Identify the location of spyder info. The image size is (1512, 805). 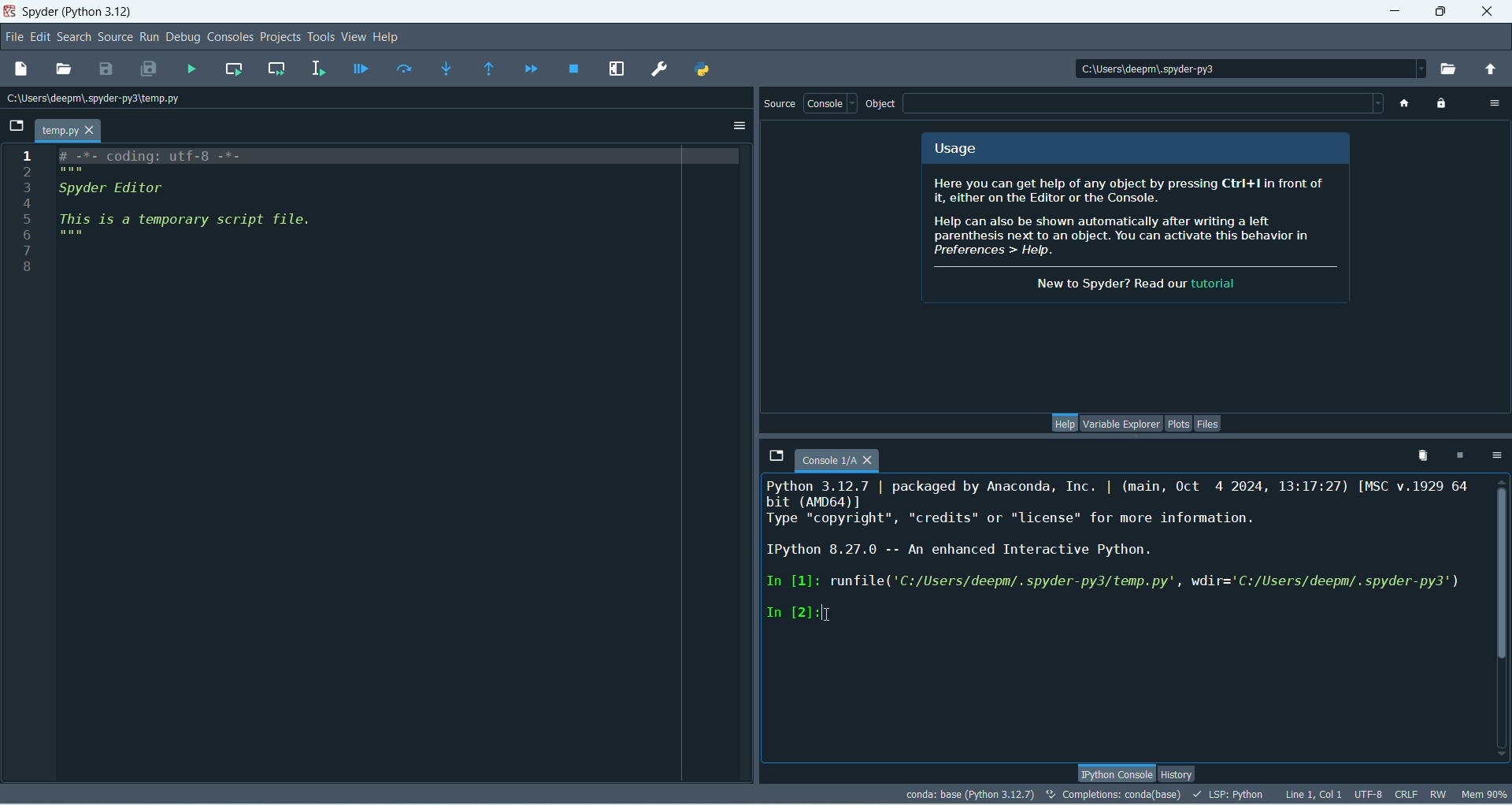
(1138, 236).